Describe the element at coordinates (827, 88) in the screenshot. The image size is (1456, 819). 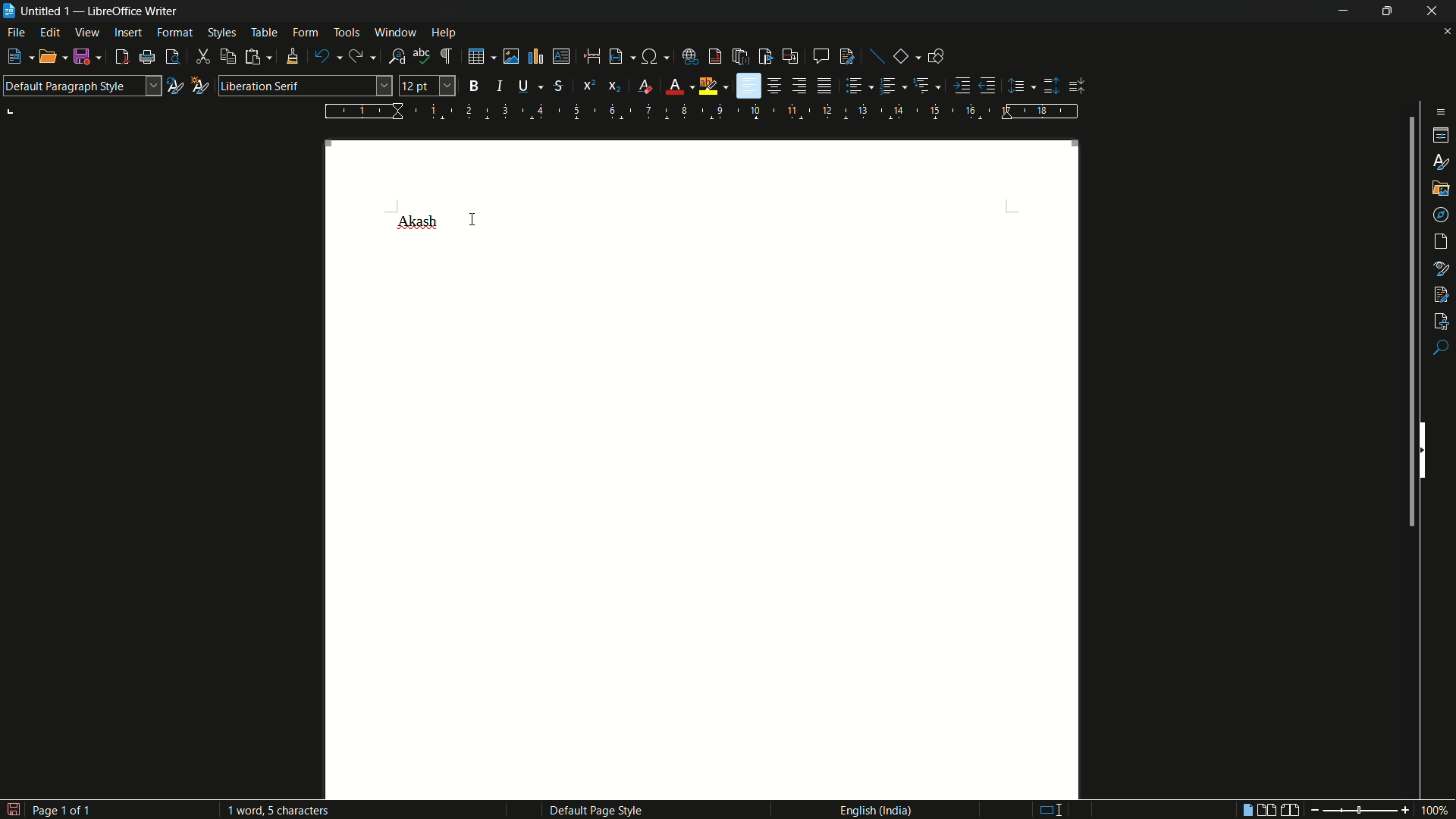
I see `justify` at that location.